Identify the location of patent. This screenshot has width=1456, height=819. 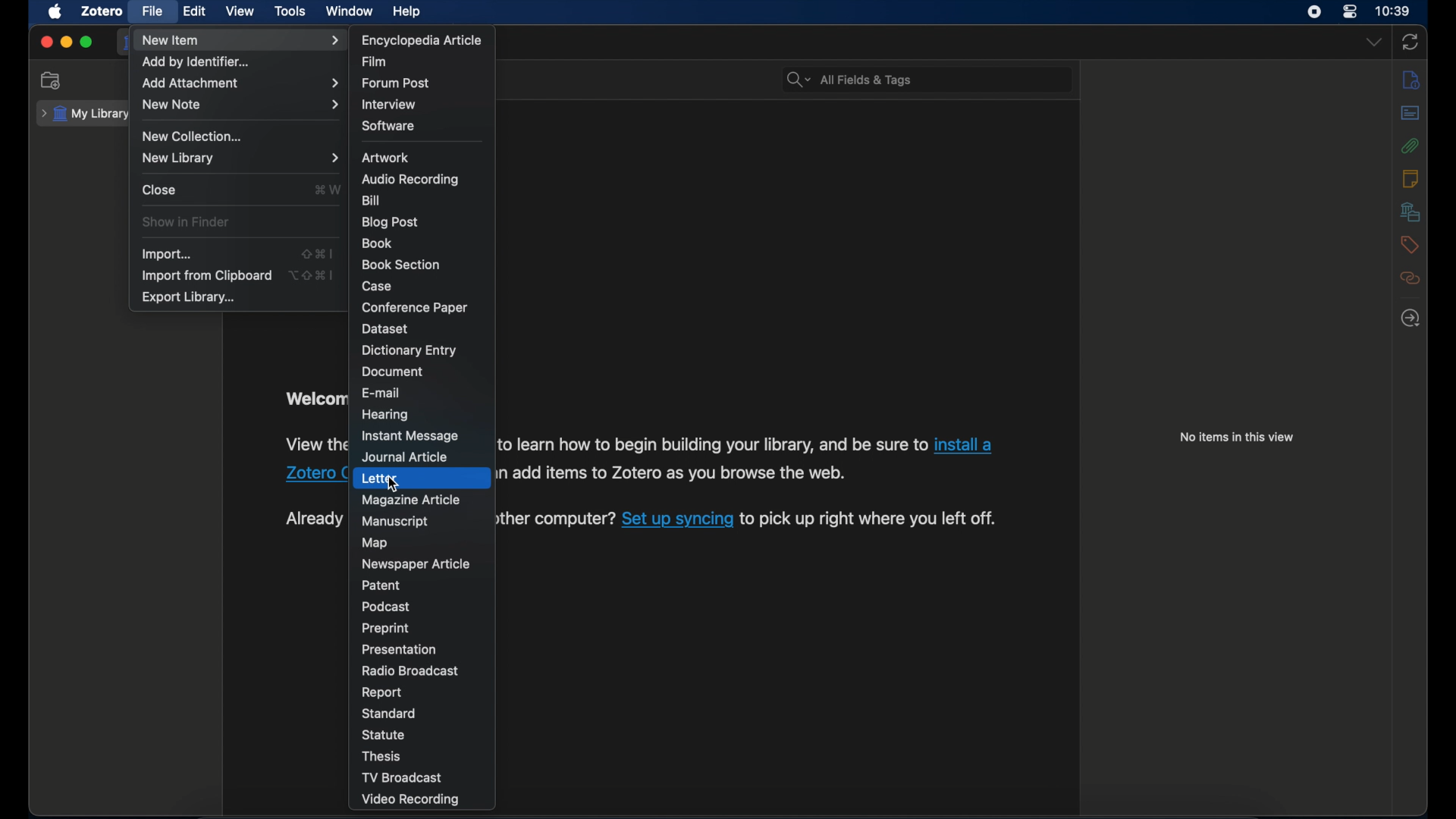
(382, 585).